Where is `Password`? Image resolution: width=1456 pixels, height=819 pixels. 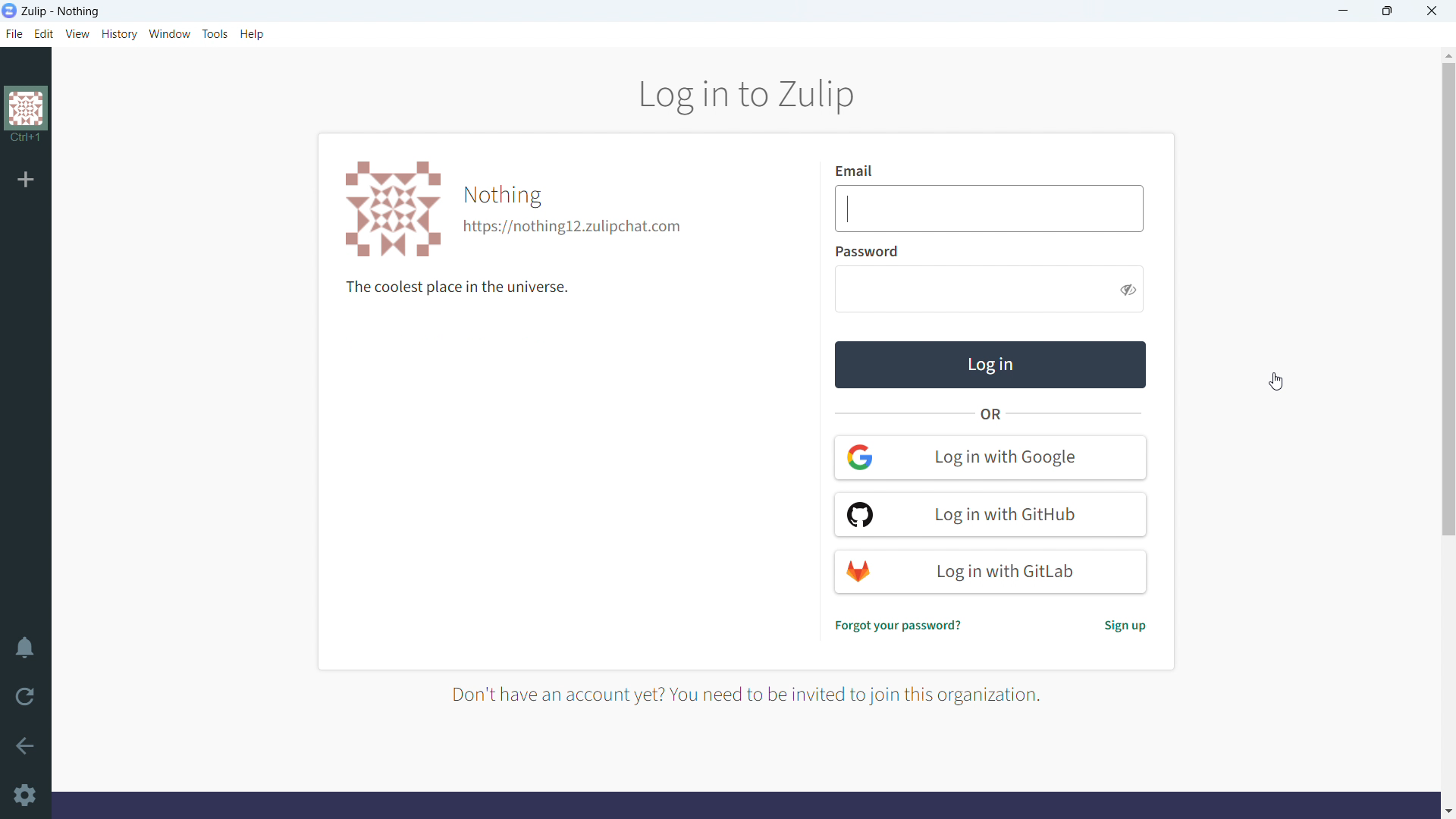 Password is located at coordinates (871, 251).